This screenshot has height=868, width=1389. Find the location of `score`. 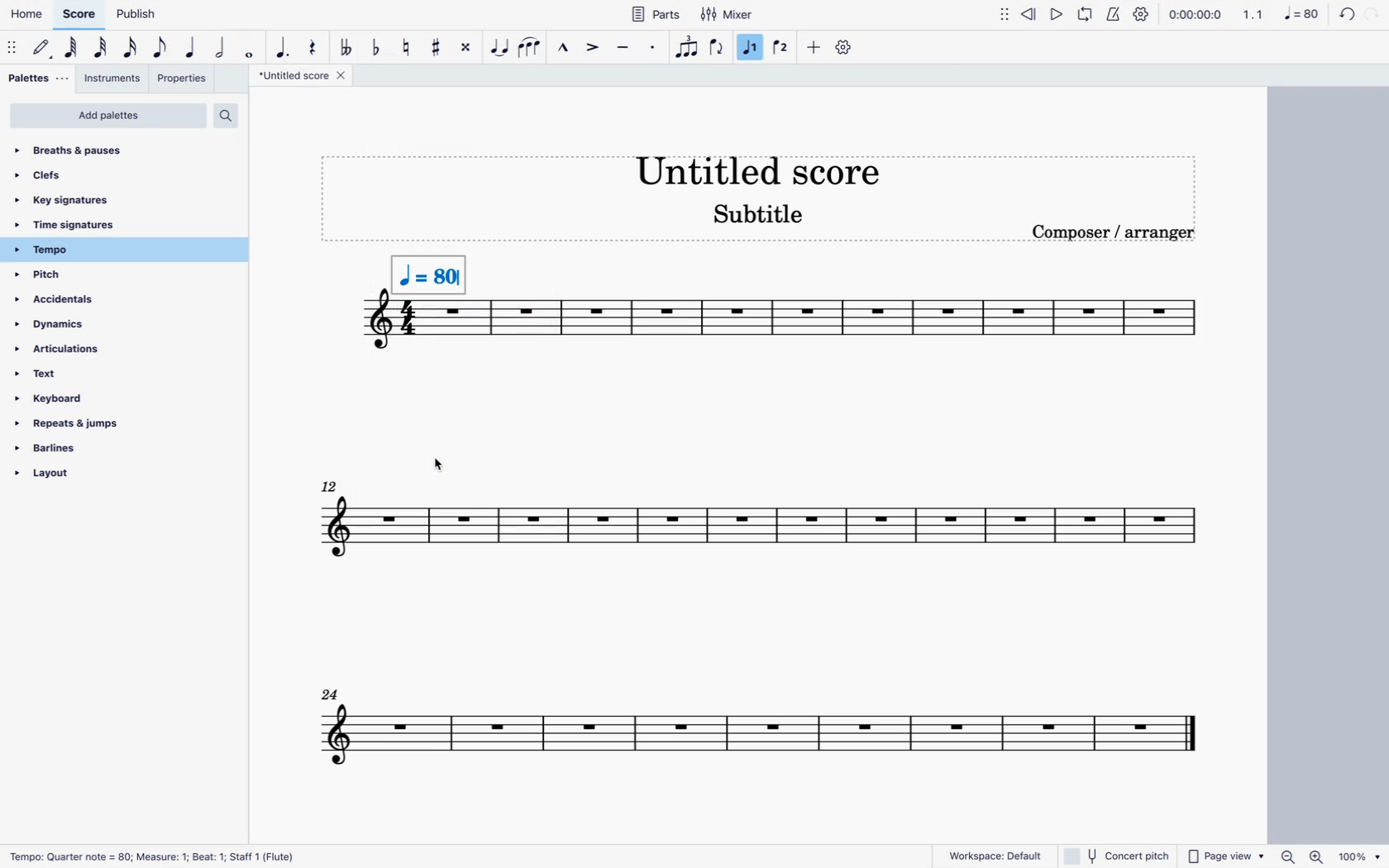

score is located at coordinates (855, 324).